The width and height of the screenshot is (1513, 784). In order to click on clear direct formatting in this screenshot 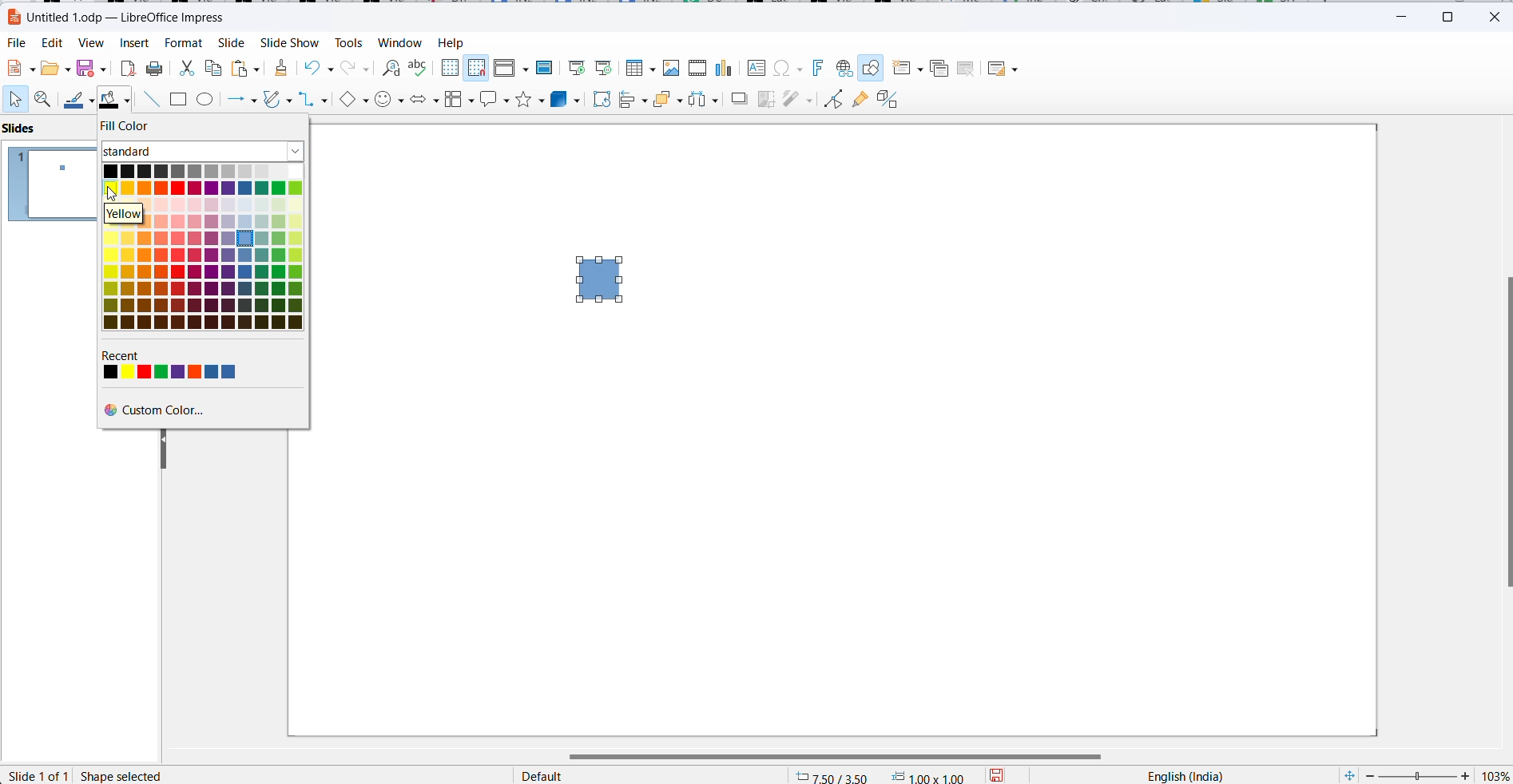, I will do `click(280, 68)`.